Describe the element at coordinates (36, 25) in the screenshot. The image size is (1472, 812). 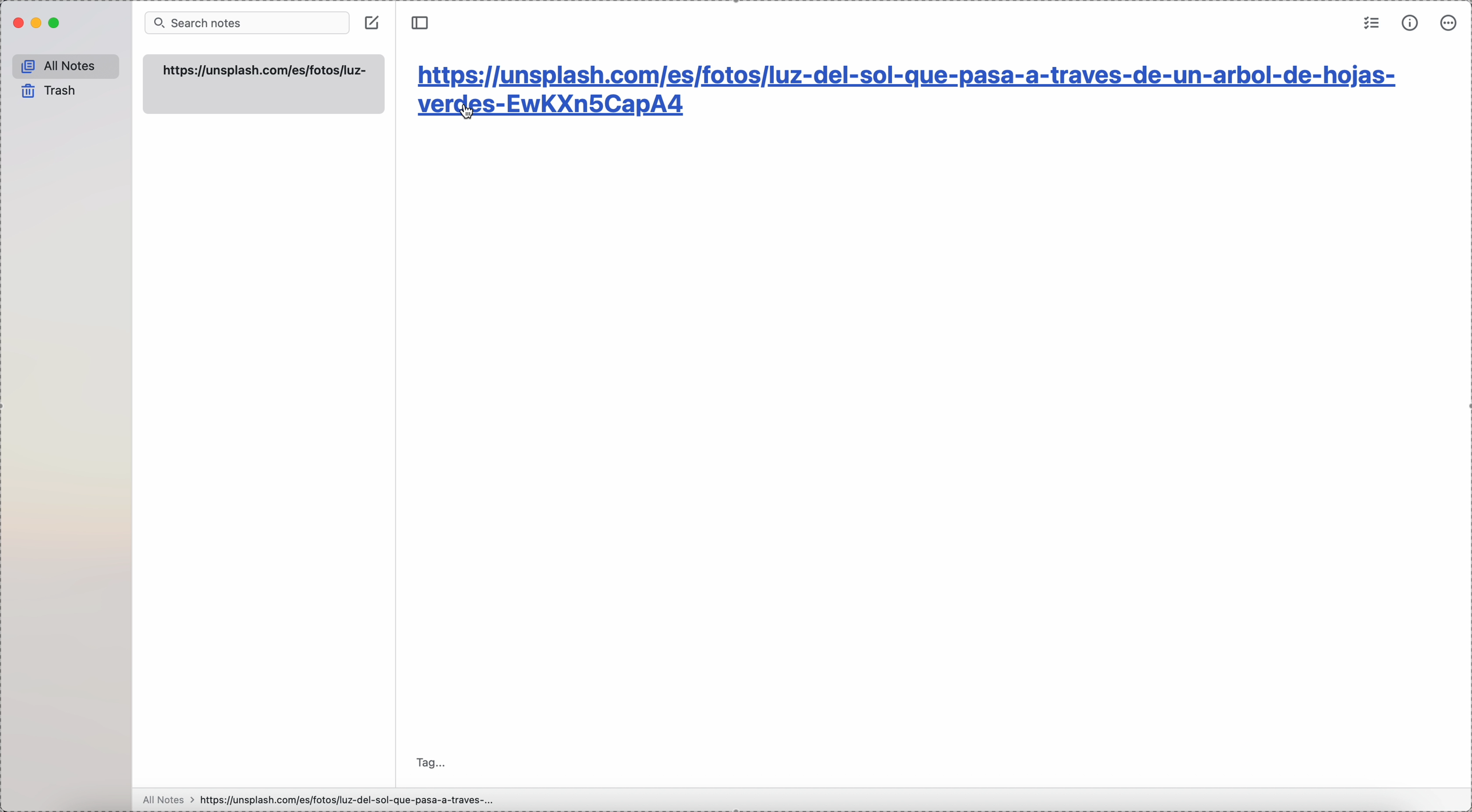
I see `minimize Simplenote` at that location.